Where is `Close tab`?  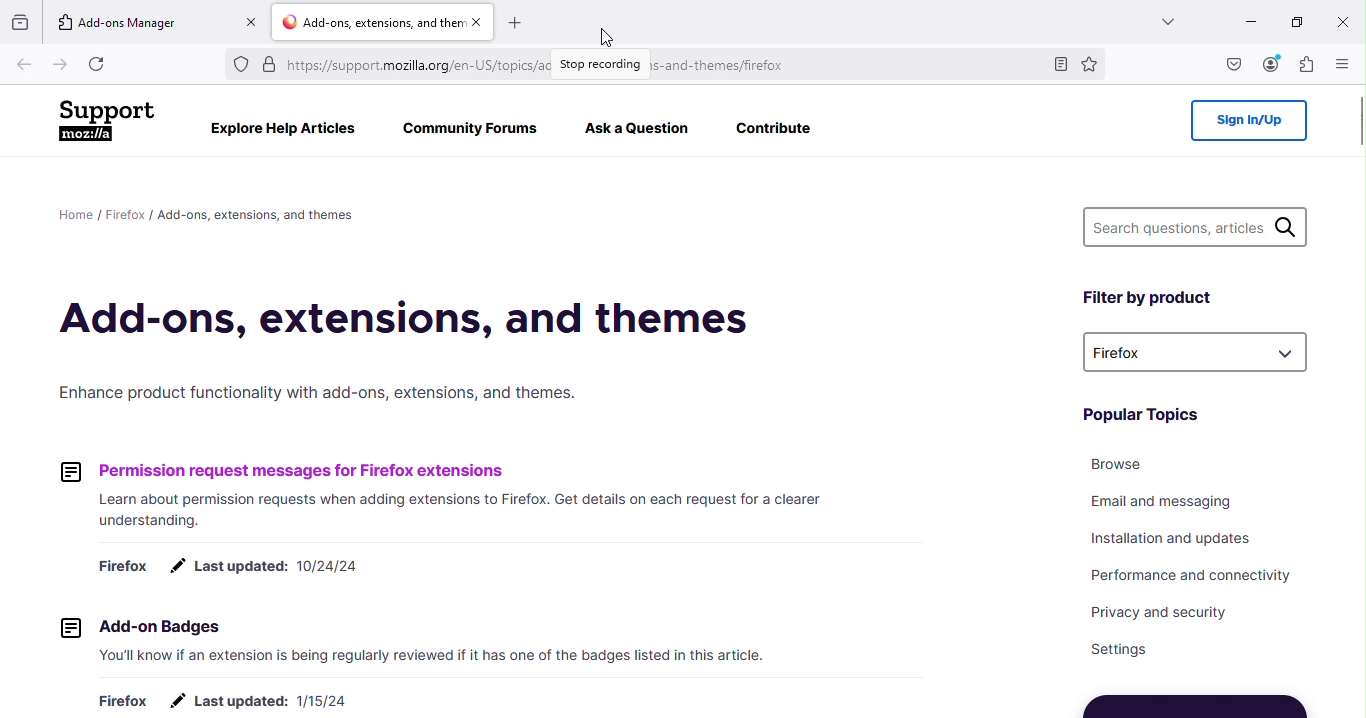
Close tab is located at coordinates (476, 22).